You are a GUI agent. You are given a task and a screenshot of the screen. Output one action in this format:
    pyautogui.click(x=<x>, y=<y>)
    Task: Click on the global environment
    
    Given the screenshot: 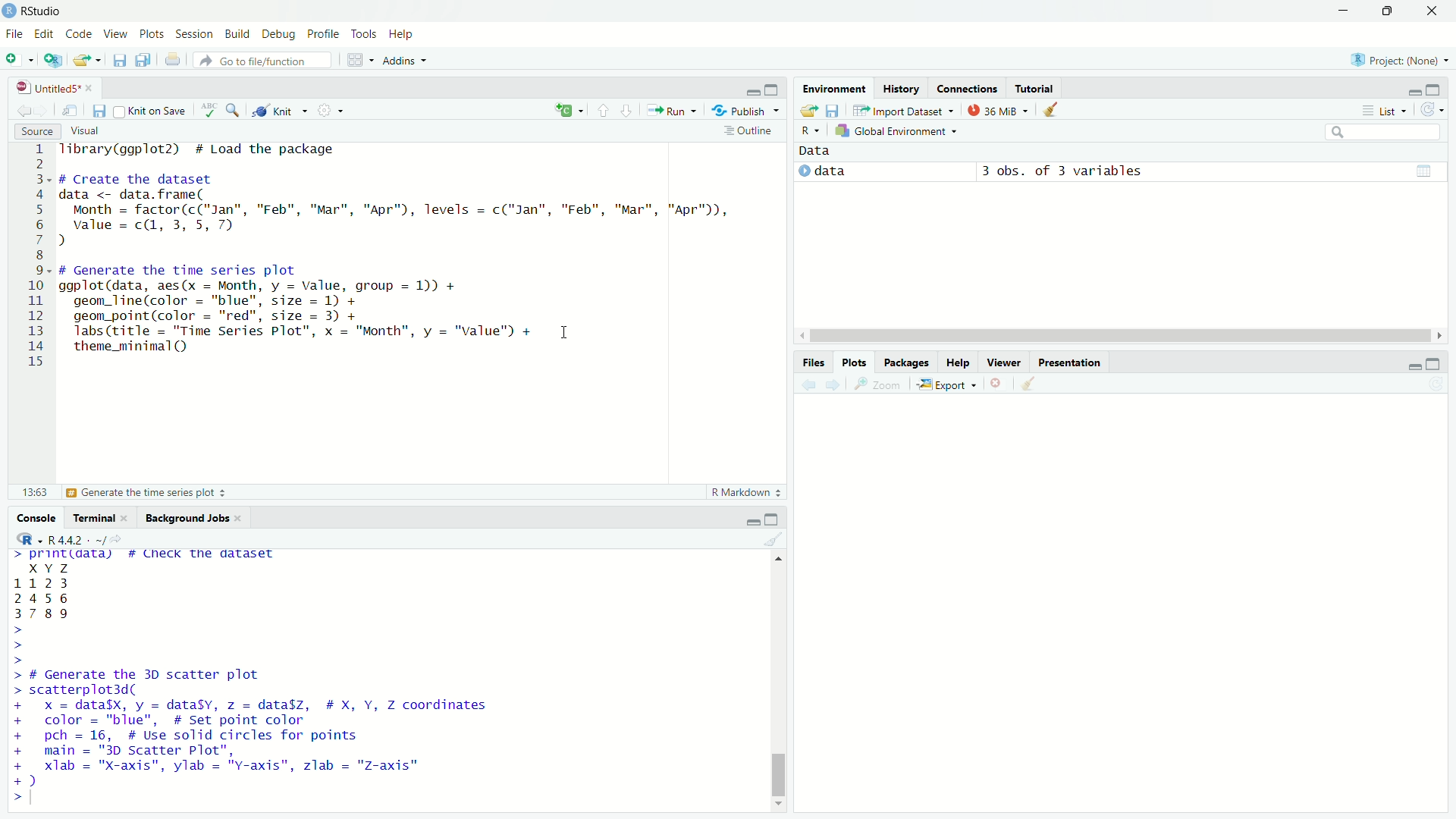 What is the action you would take?
    pyautogui.click(x=899, y=131)
    